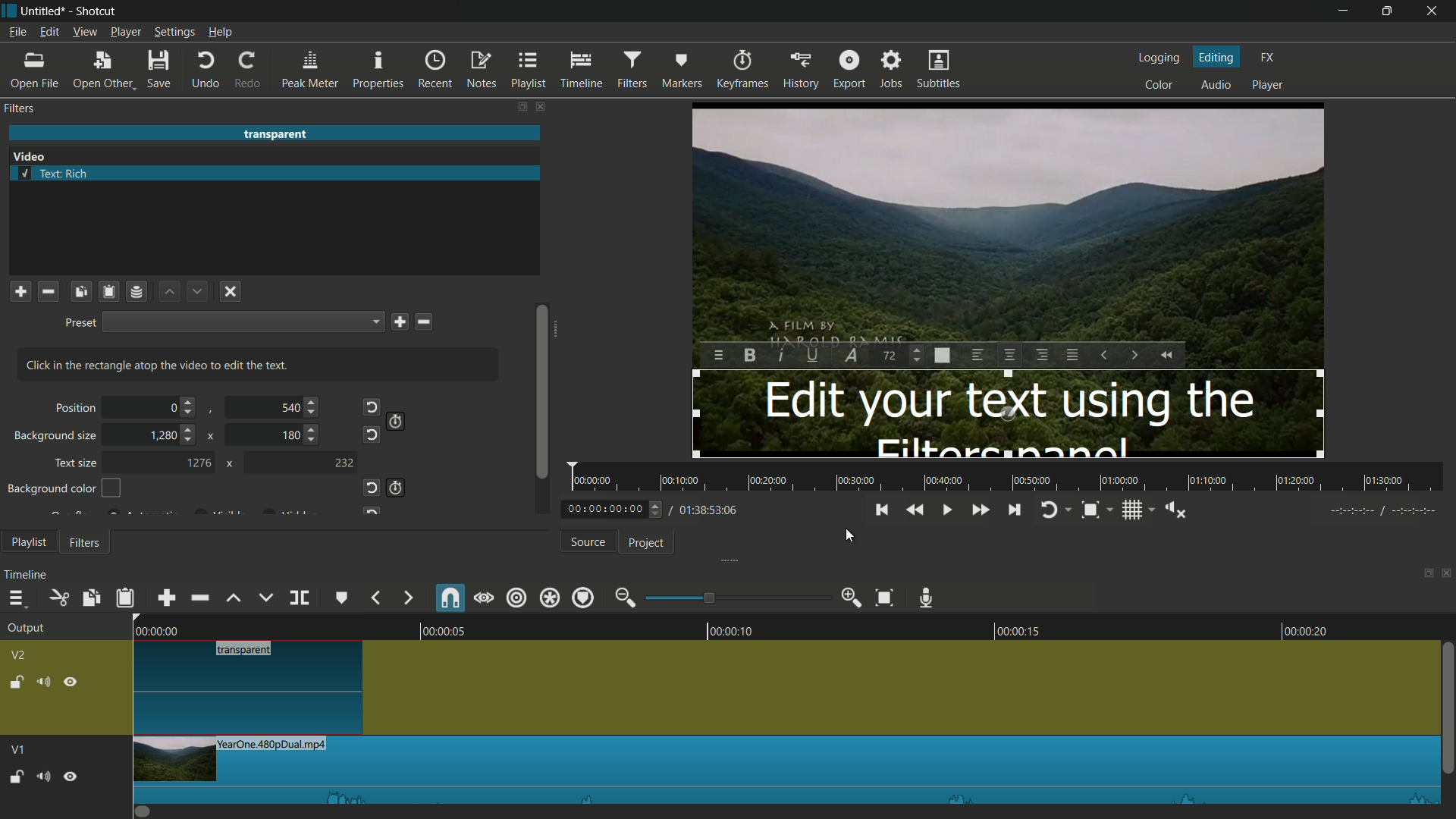  Describe the element at coordinates (16, 745) in the screenshot. I see `V1` at that location.